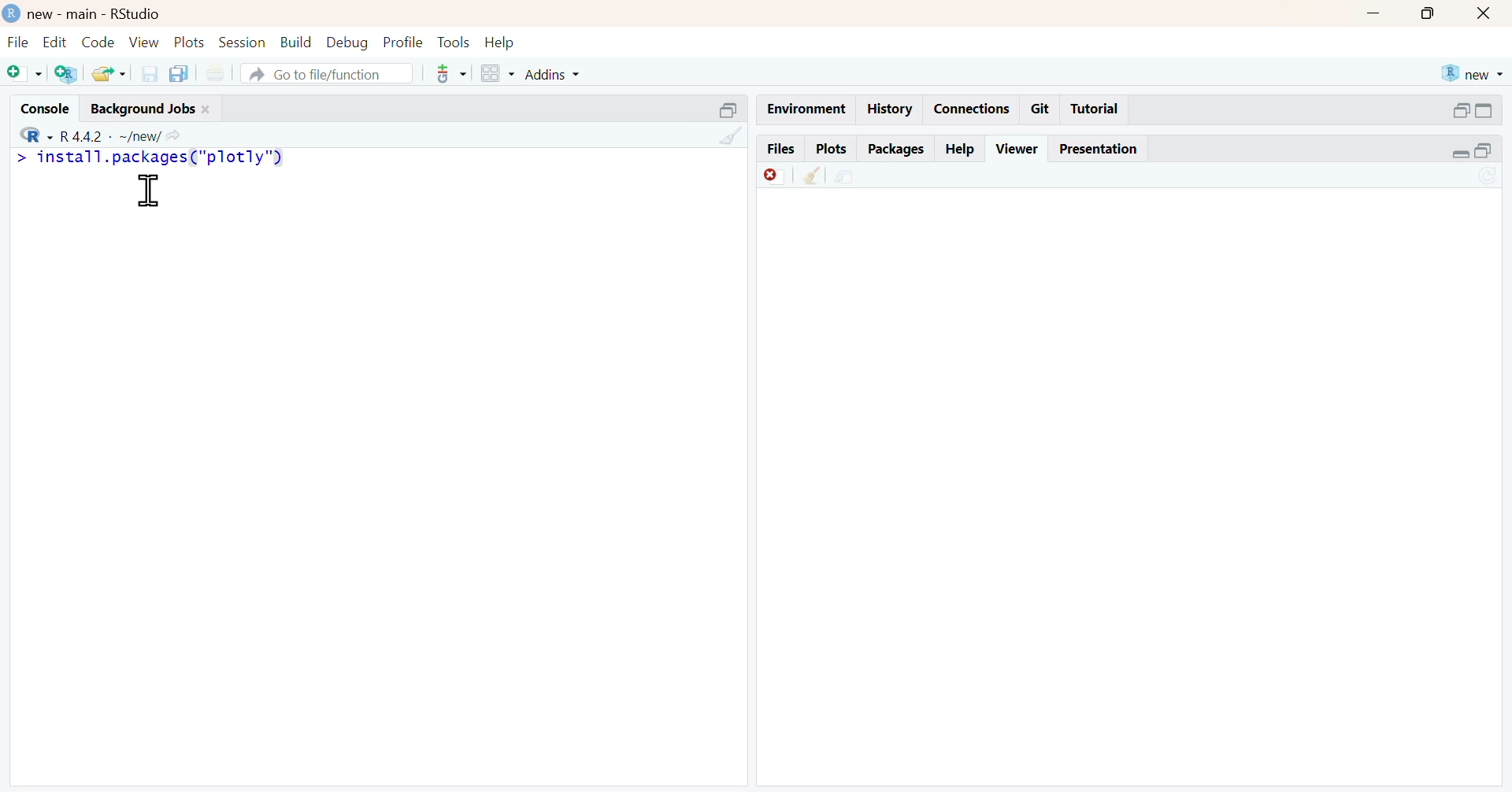  I want to click on logo, so click(9, 12).